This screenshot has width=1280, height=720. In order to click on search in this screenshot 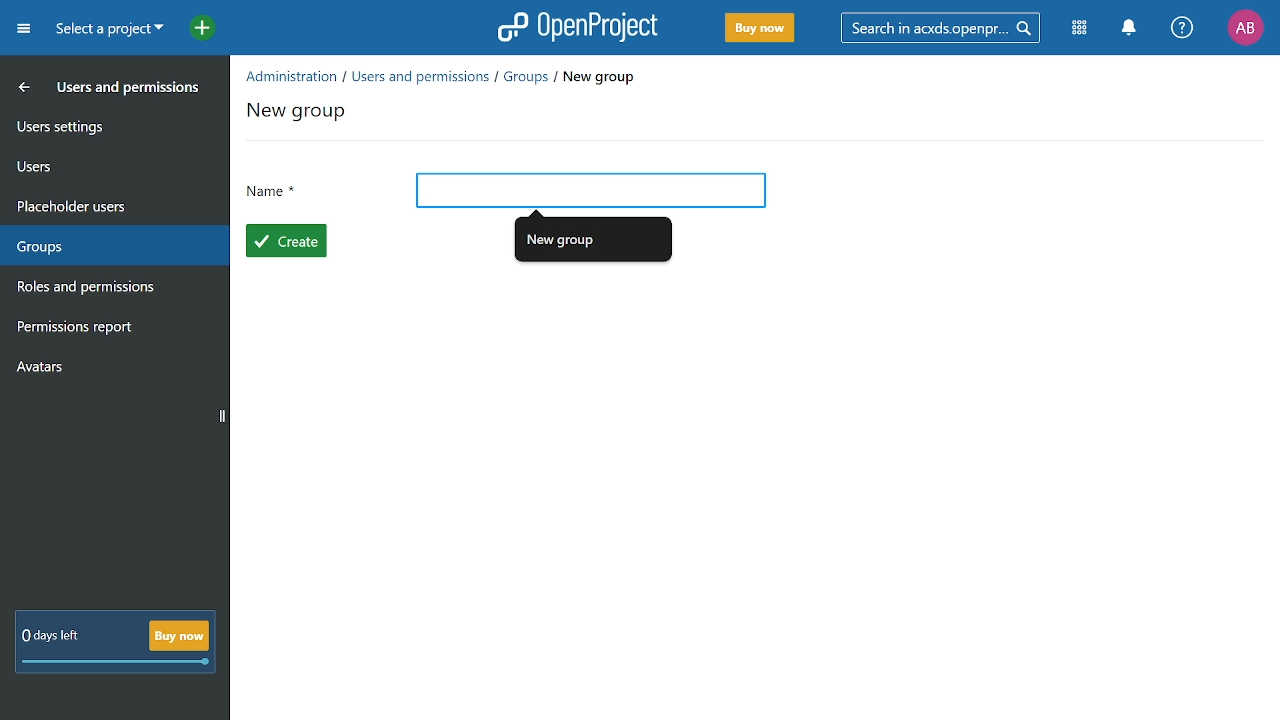, I will do `click(937, 27)`.